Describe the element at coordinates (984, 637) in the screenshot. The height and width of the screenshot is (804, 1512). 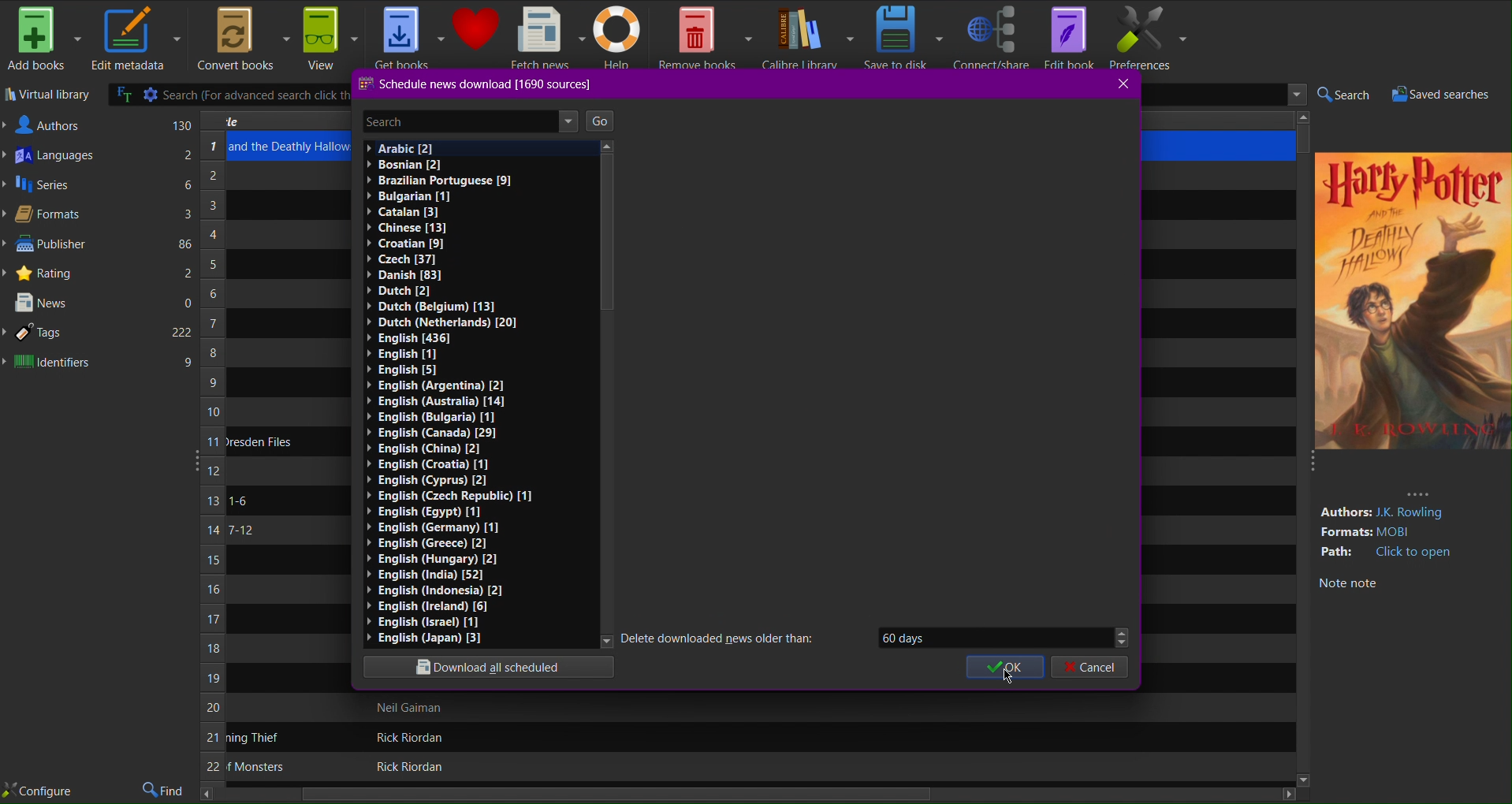
I see `60 days` at that location.